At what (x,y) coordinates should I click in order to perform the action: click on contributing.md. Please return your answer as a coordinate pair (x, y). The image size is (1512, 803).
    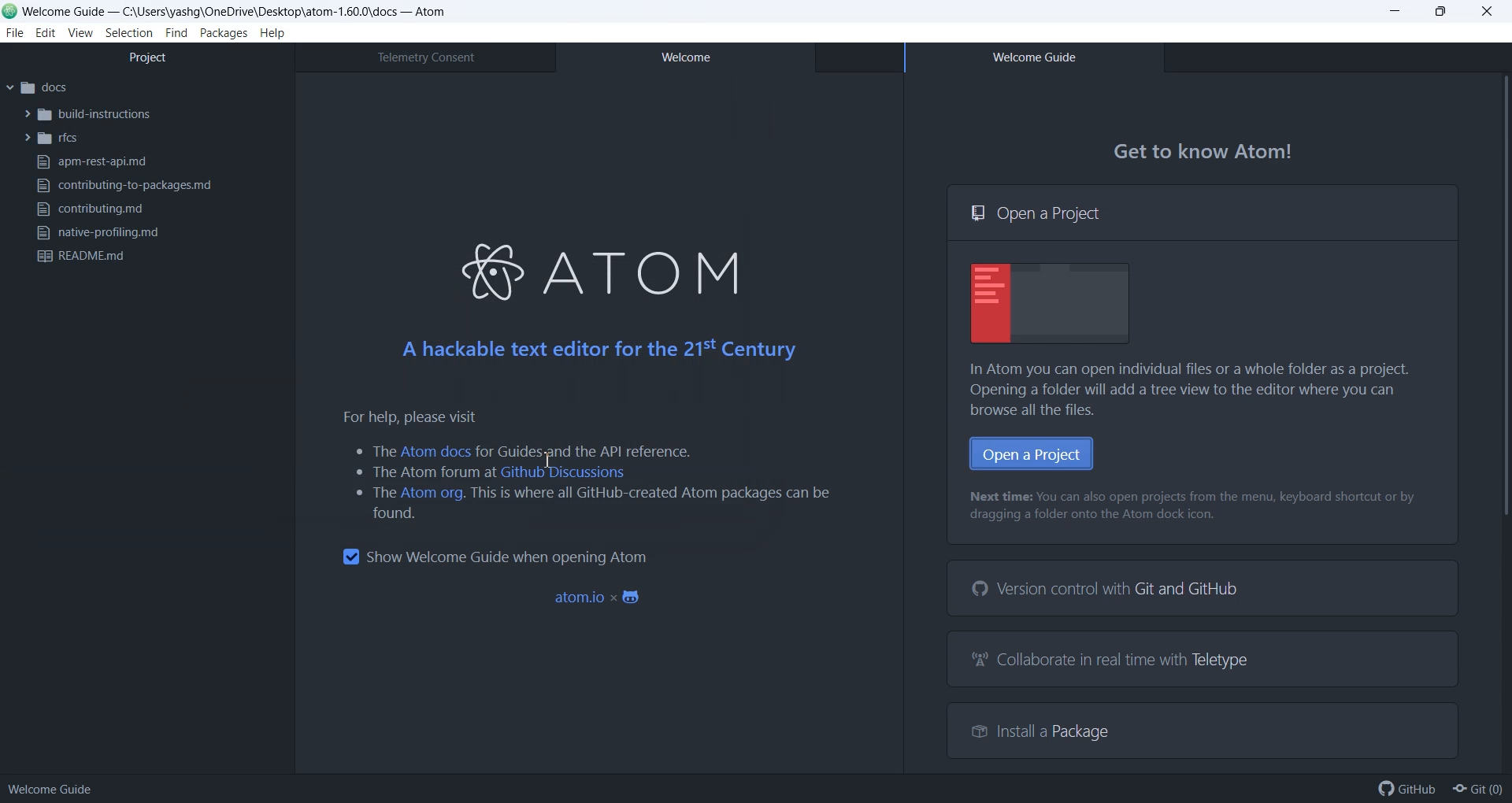
    Looking at the image, I should click on (91, 209).